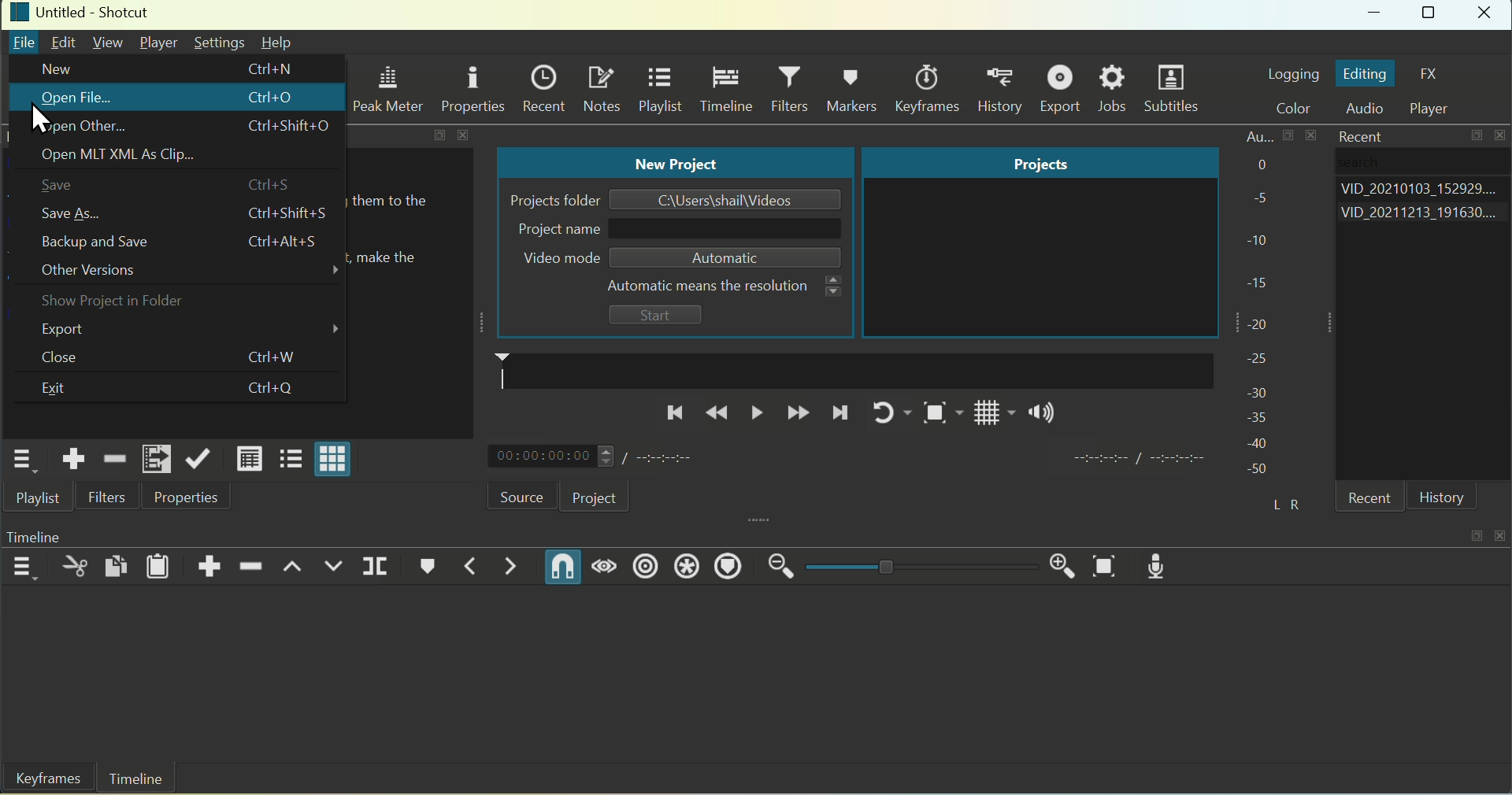 The height and width of the screenshot is (795, 1512). I want to click on Marker, so click(423, 568).